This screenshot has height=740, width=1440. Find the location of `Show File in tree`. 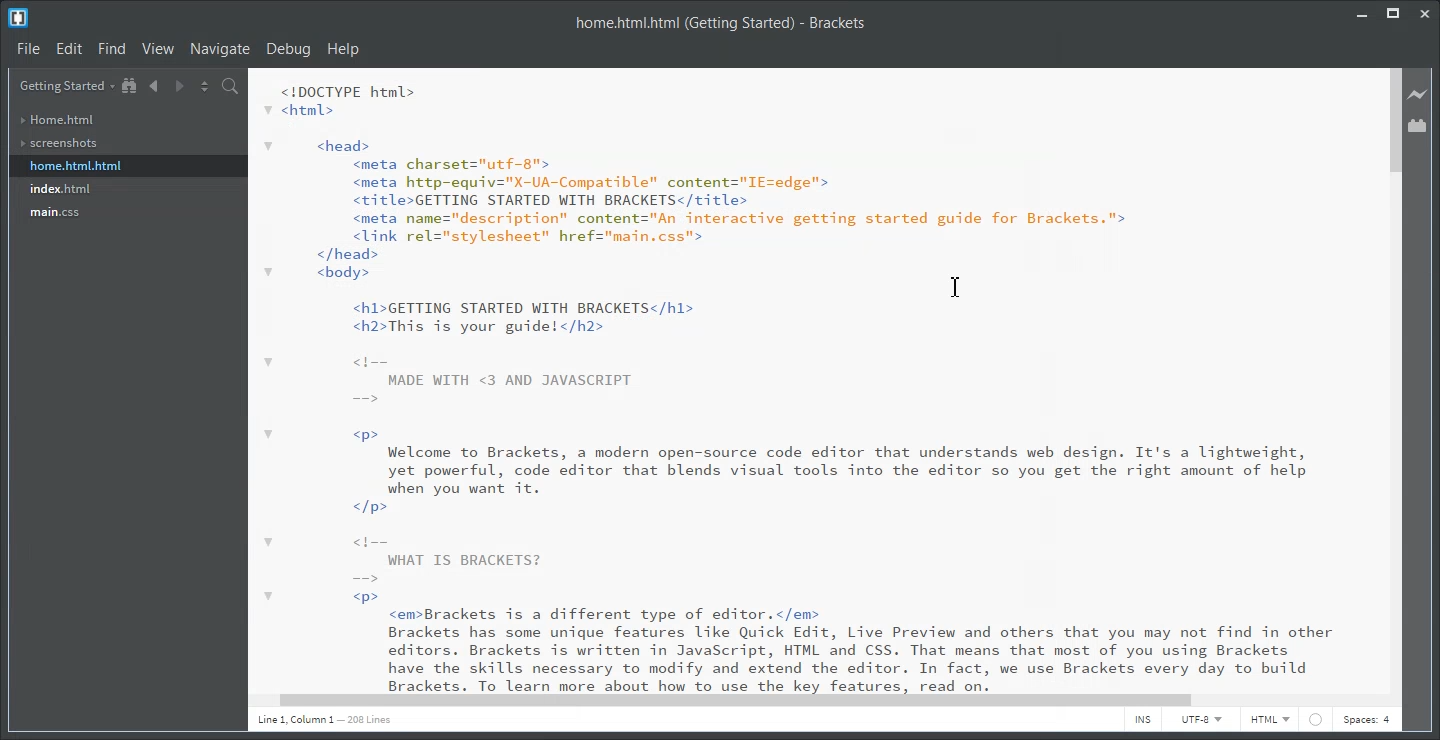

Show File in tree is located at coordinates (130, 86).